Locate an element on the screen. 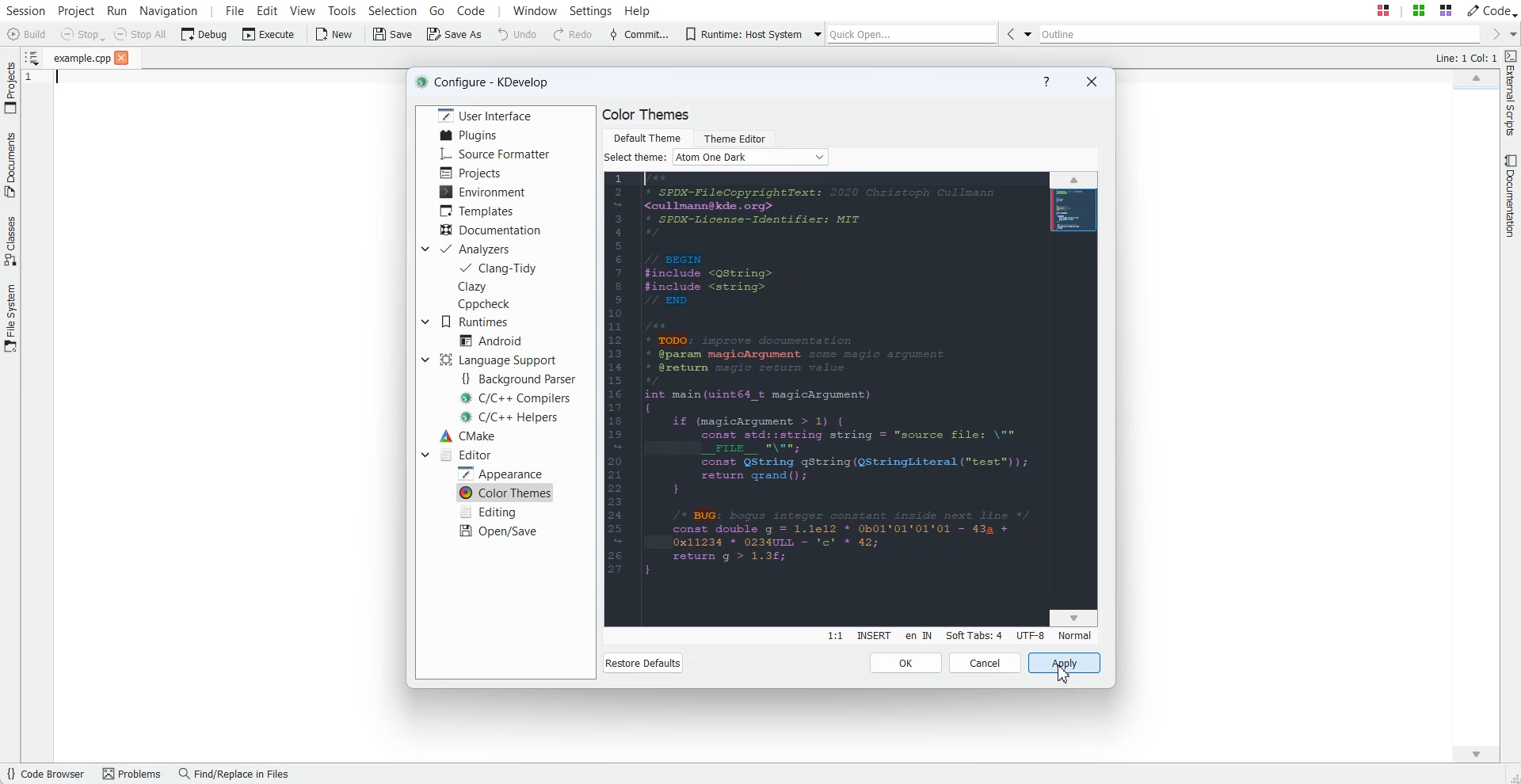 The height and width of the screenshot is (784, 1521). Commit is located at coordinates (638, 36).